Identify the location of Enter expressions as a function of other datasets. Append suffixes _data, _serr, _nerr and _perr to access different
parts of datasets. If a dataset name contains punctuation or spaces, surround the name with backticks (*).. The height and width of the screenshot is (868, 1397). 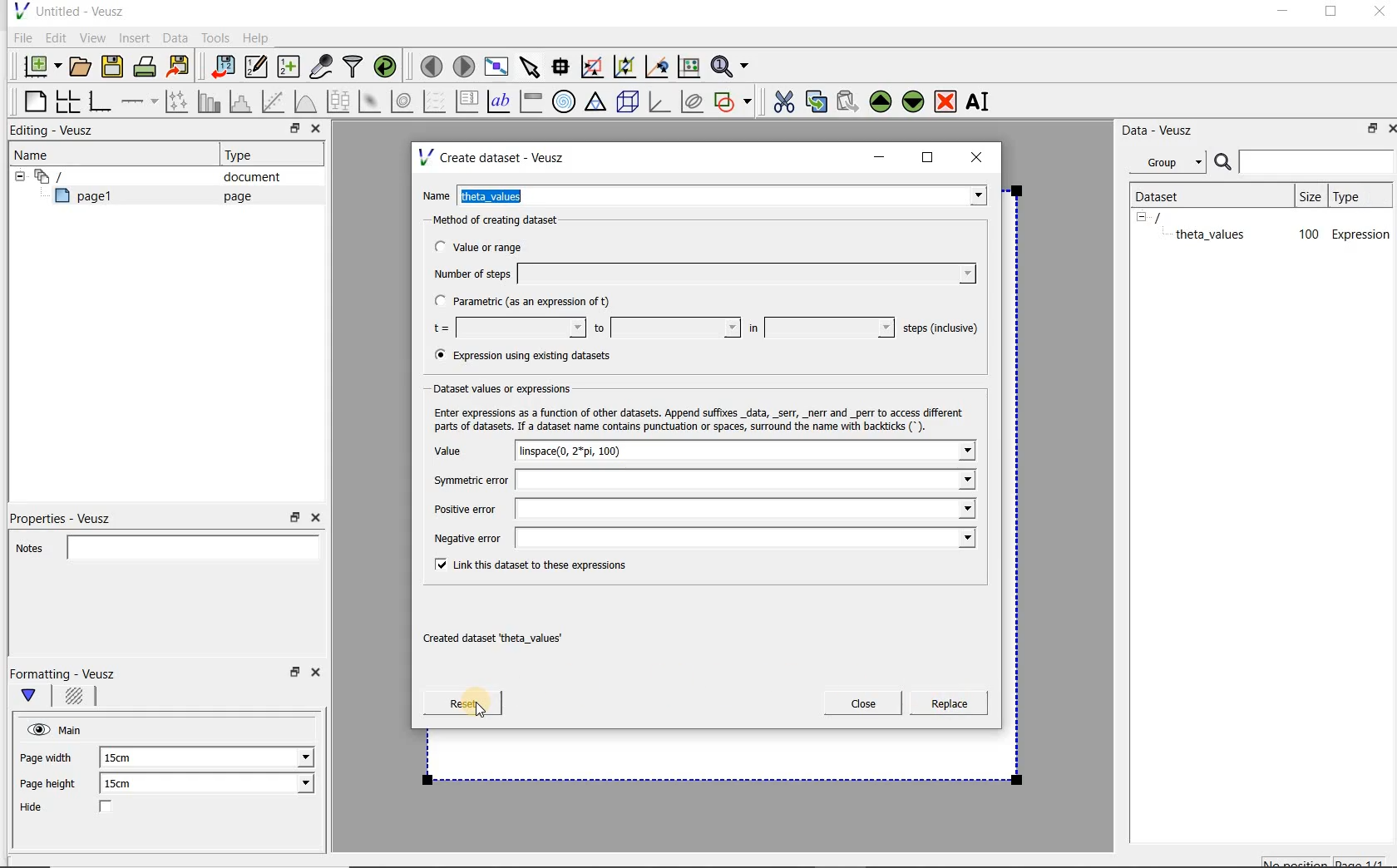
(703, 419).